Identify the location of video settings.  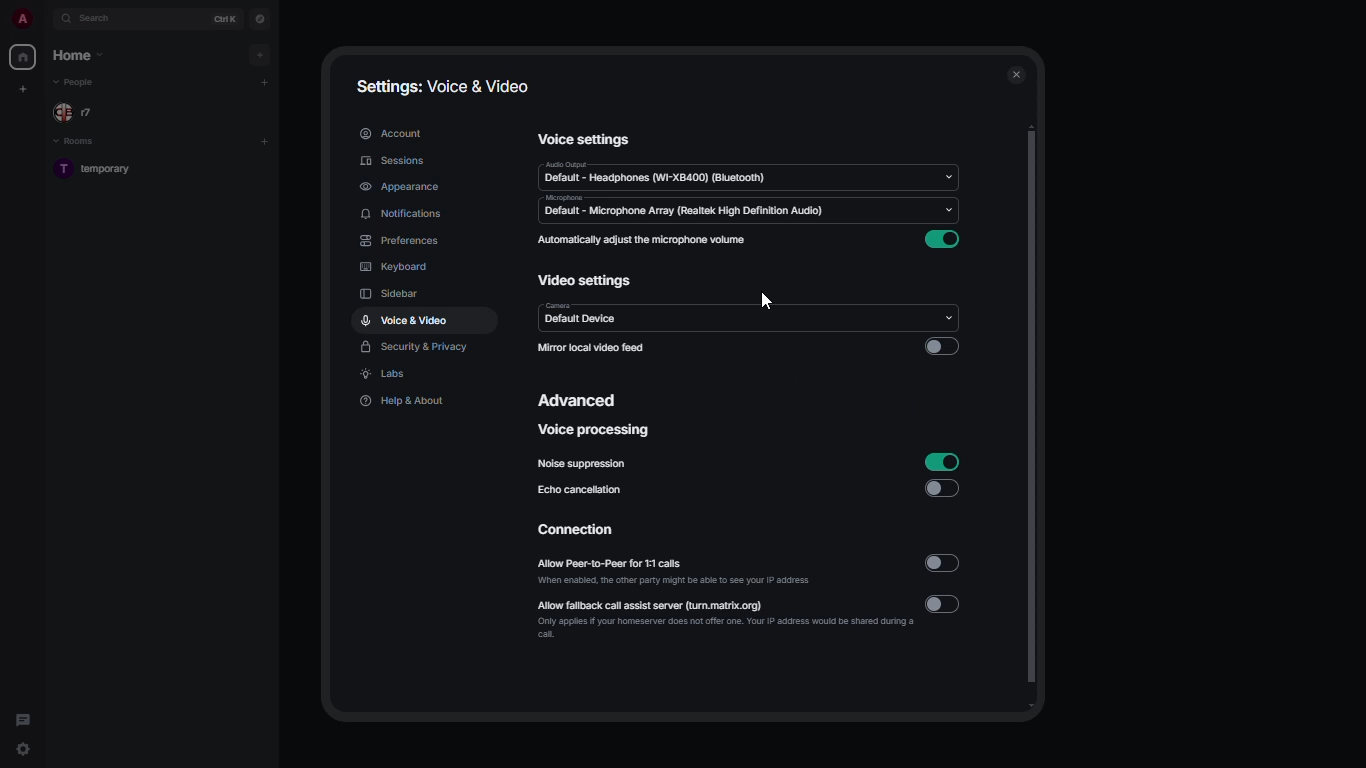
(586, 279).